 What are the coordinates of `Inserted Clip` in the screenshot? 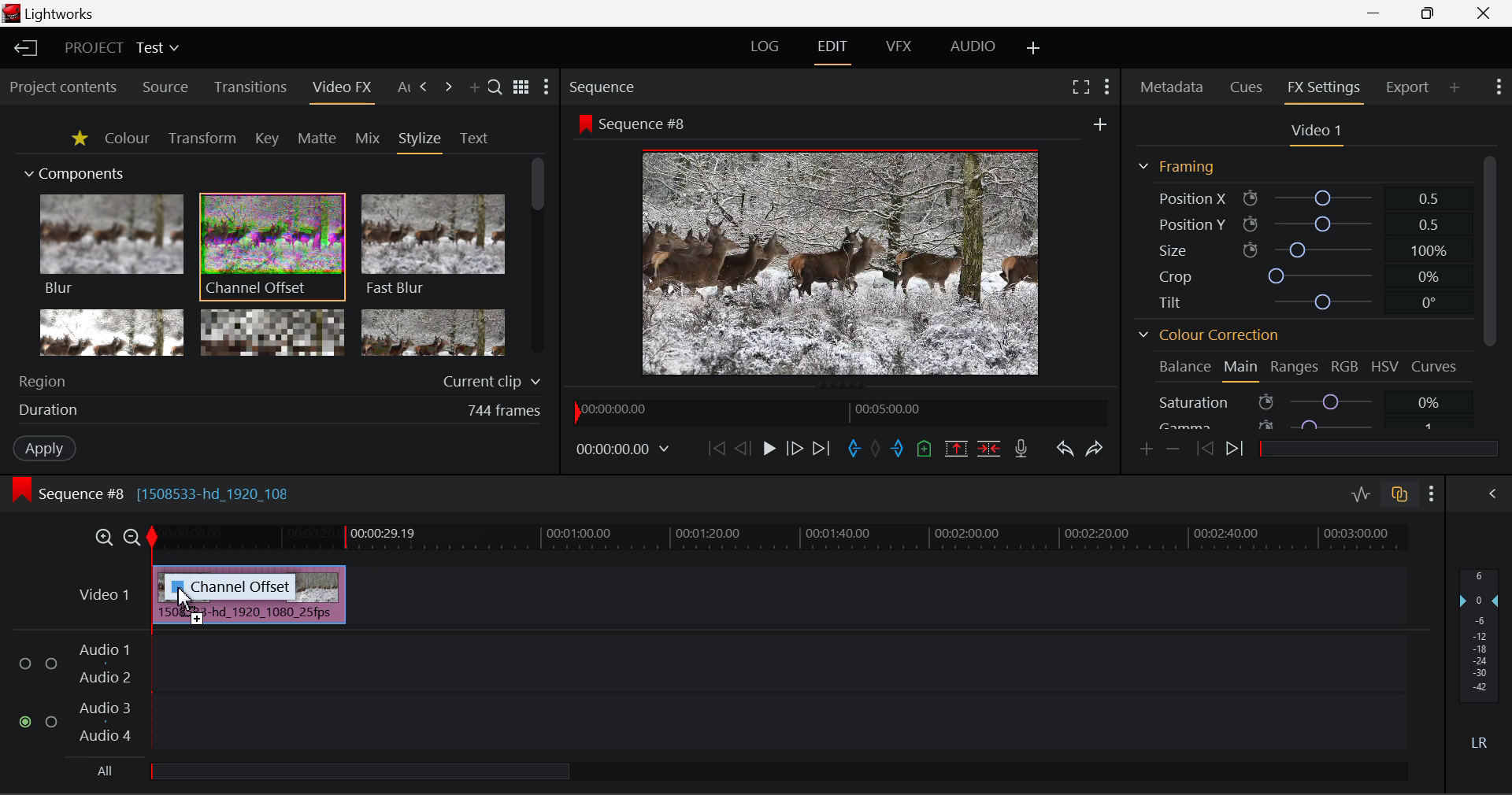 It's located at (249, 616).